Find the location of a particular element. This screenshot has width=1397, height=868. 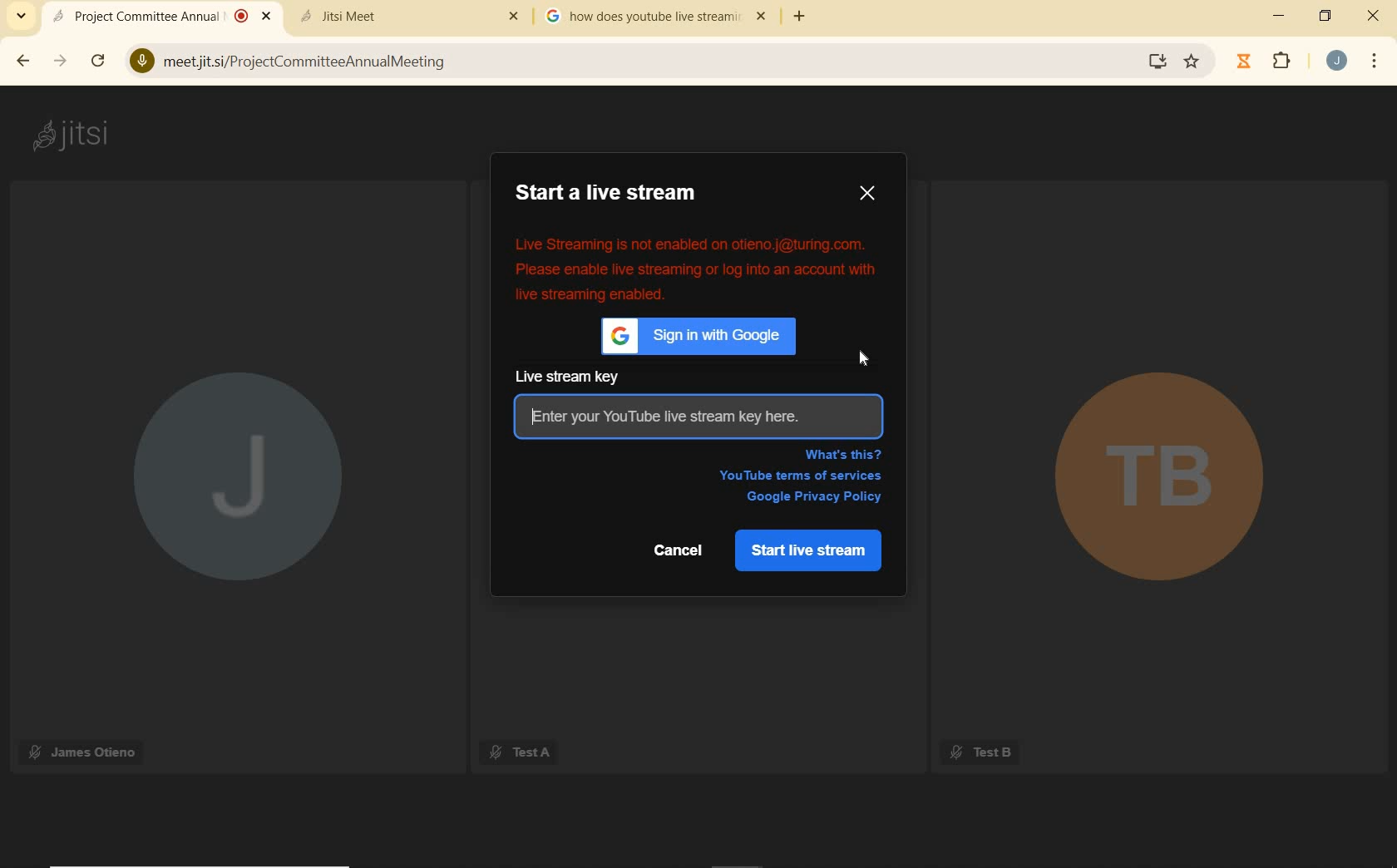

TB is located at coordinates (1177, 485).